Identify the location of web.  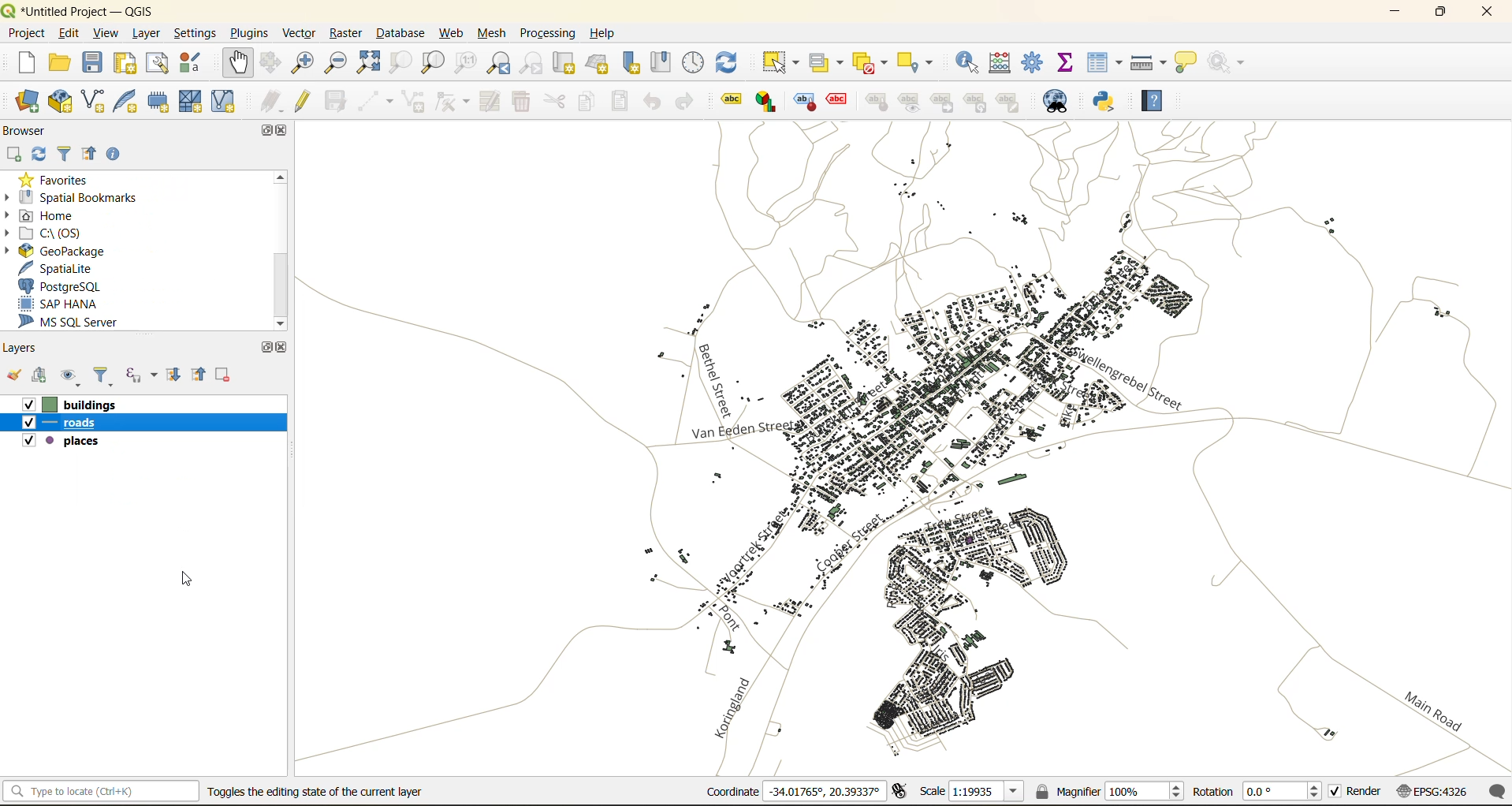
(455, 33).